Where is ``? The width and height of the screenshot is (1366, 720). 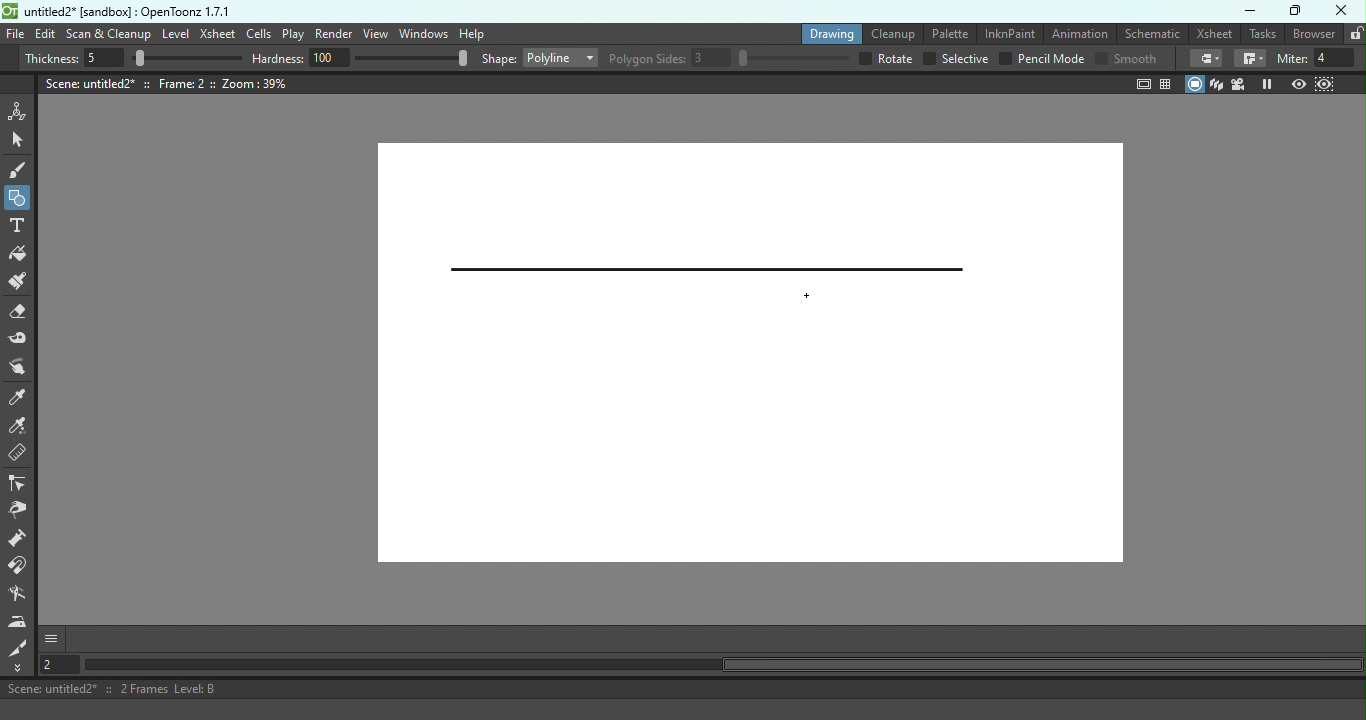
 is located at coordinates (18, 196).